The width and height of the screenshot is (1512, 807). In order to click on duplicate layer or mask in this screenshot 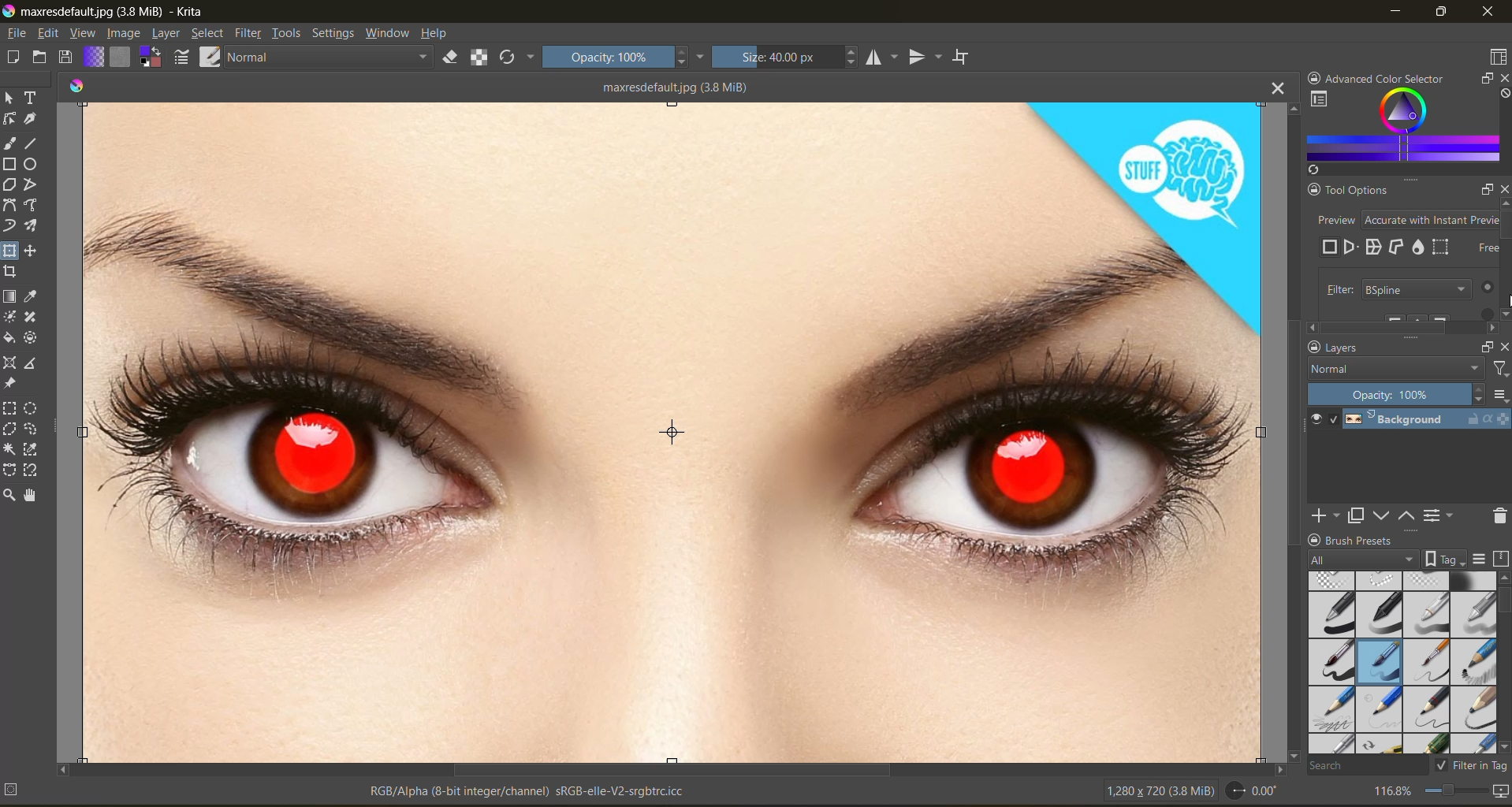, I will do `click(1359, 515)`.